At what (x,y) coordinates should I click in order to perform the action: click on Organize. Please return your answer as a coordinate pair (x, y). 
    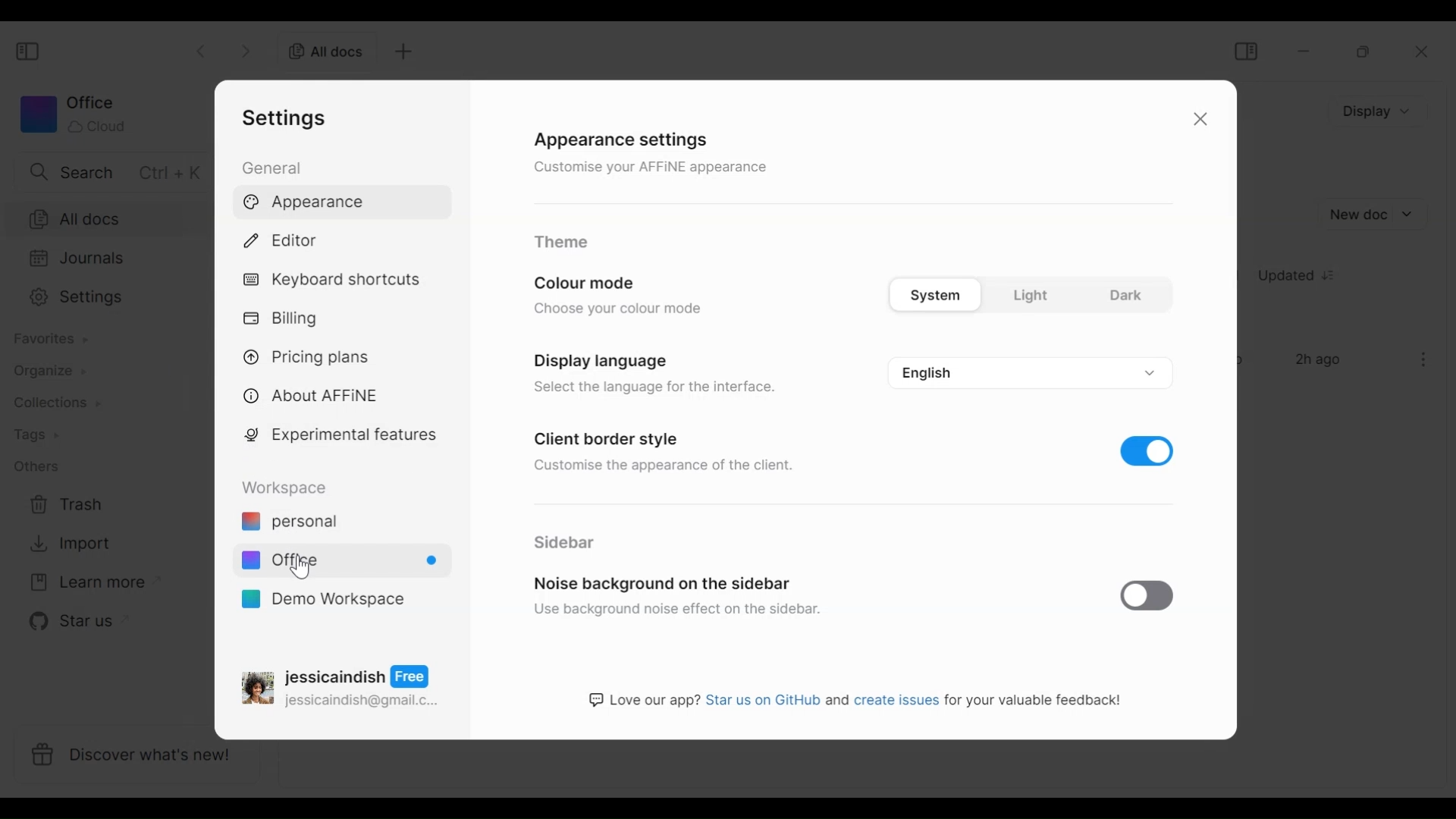
    Looking at the image, I should click on (42, 371).